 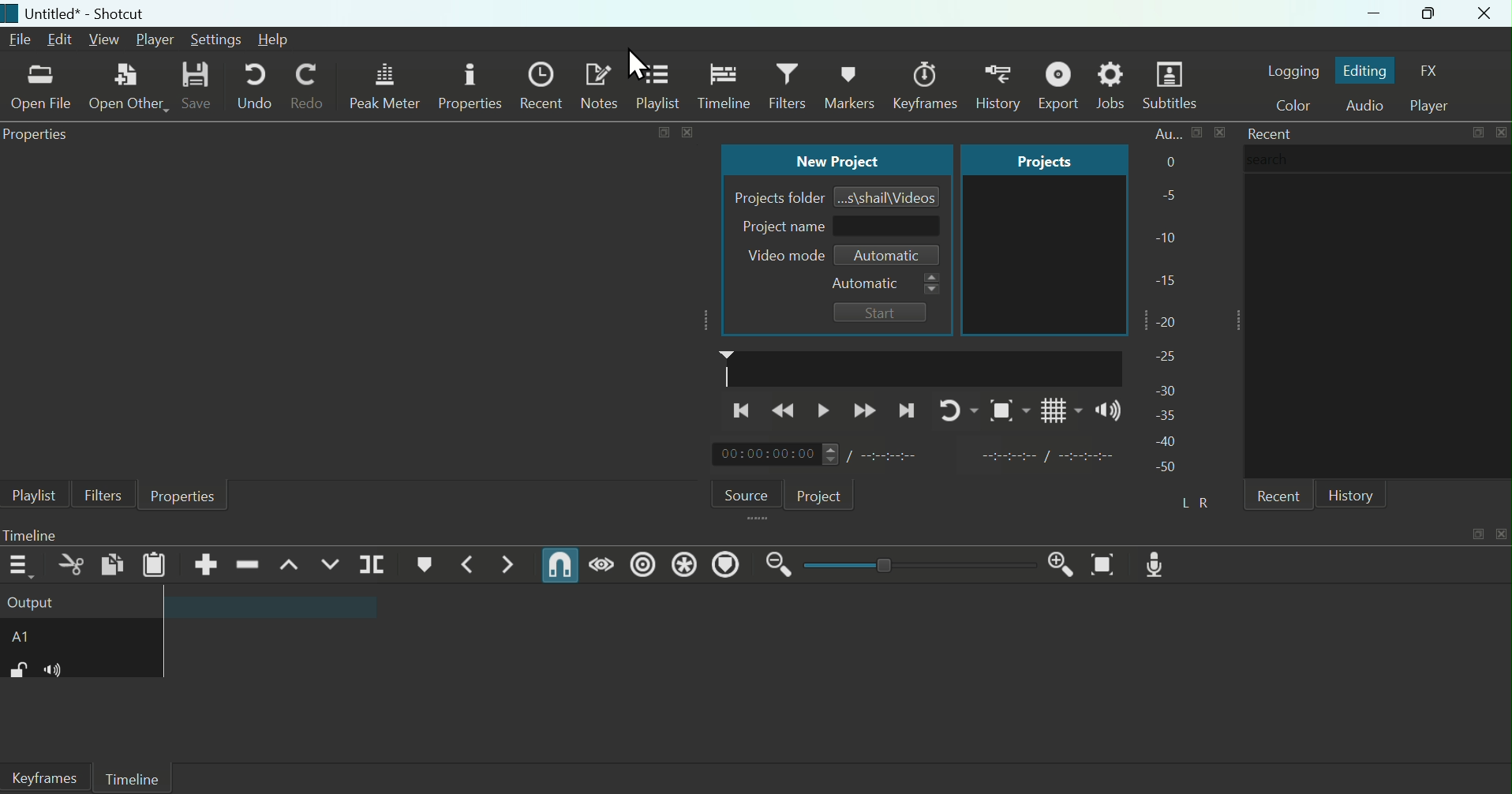 I want to click on Timeline, so click(x=133, y=778).